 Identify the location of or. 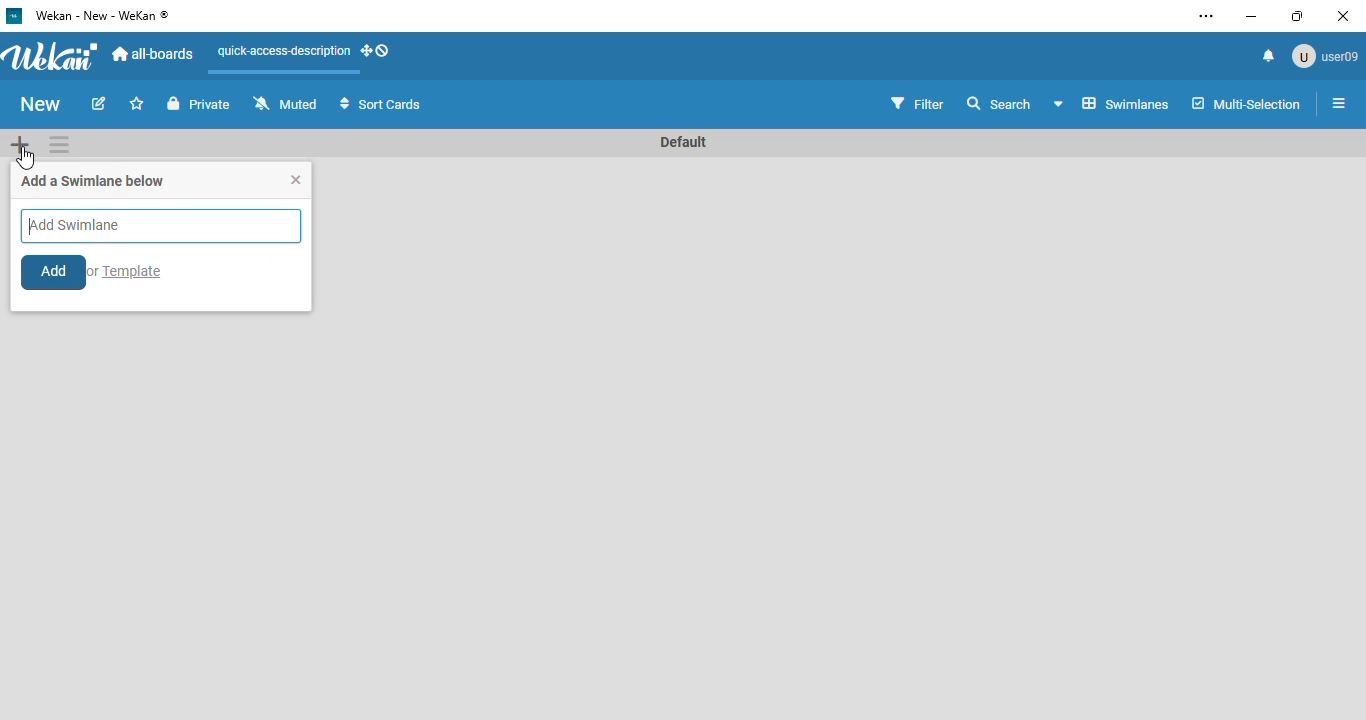
(95, 272).